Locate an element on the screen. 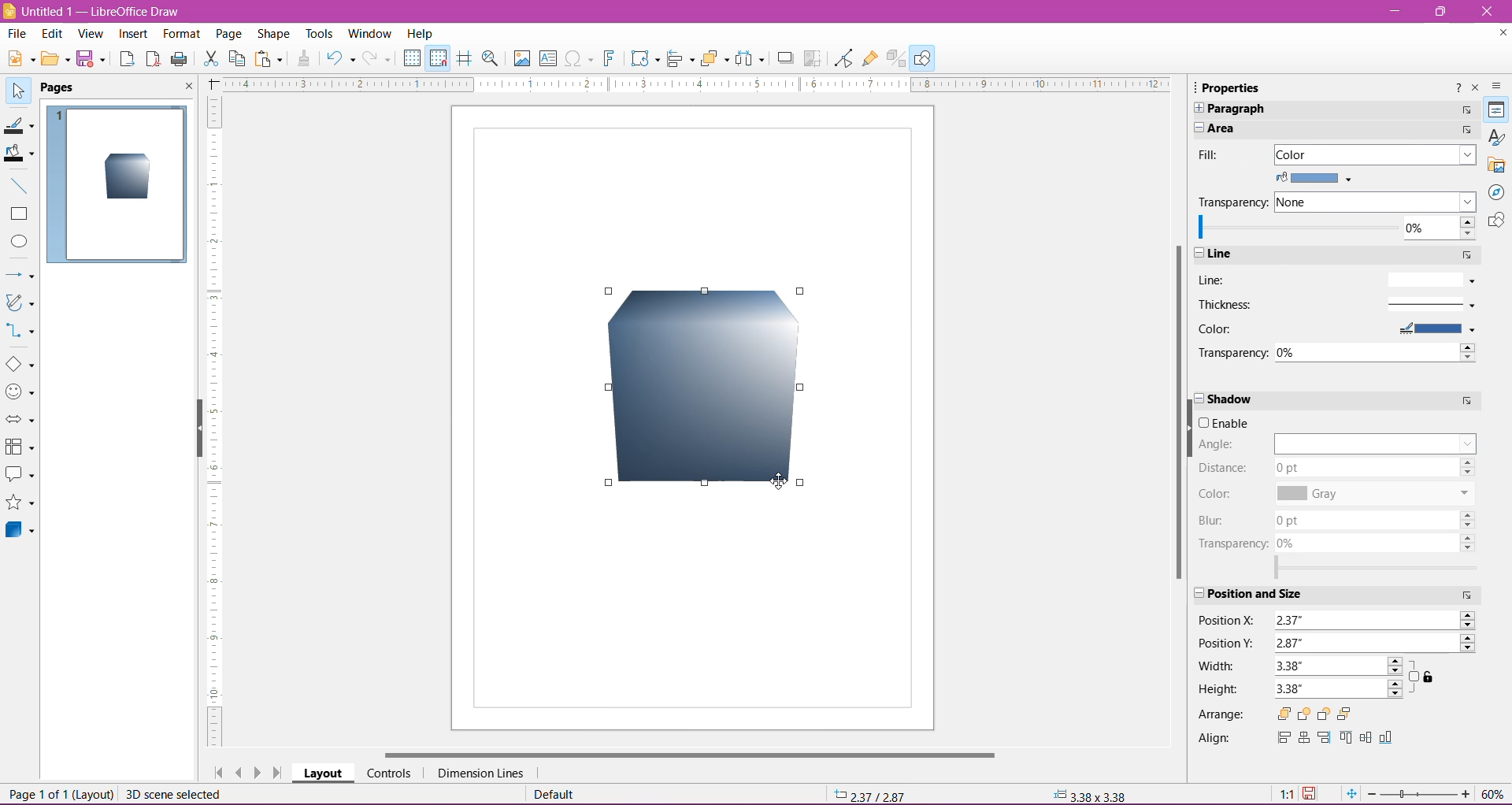 The image size is (1512, 805). Connectors is located at coordinates (21, 332).